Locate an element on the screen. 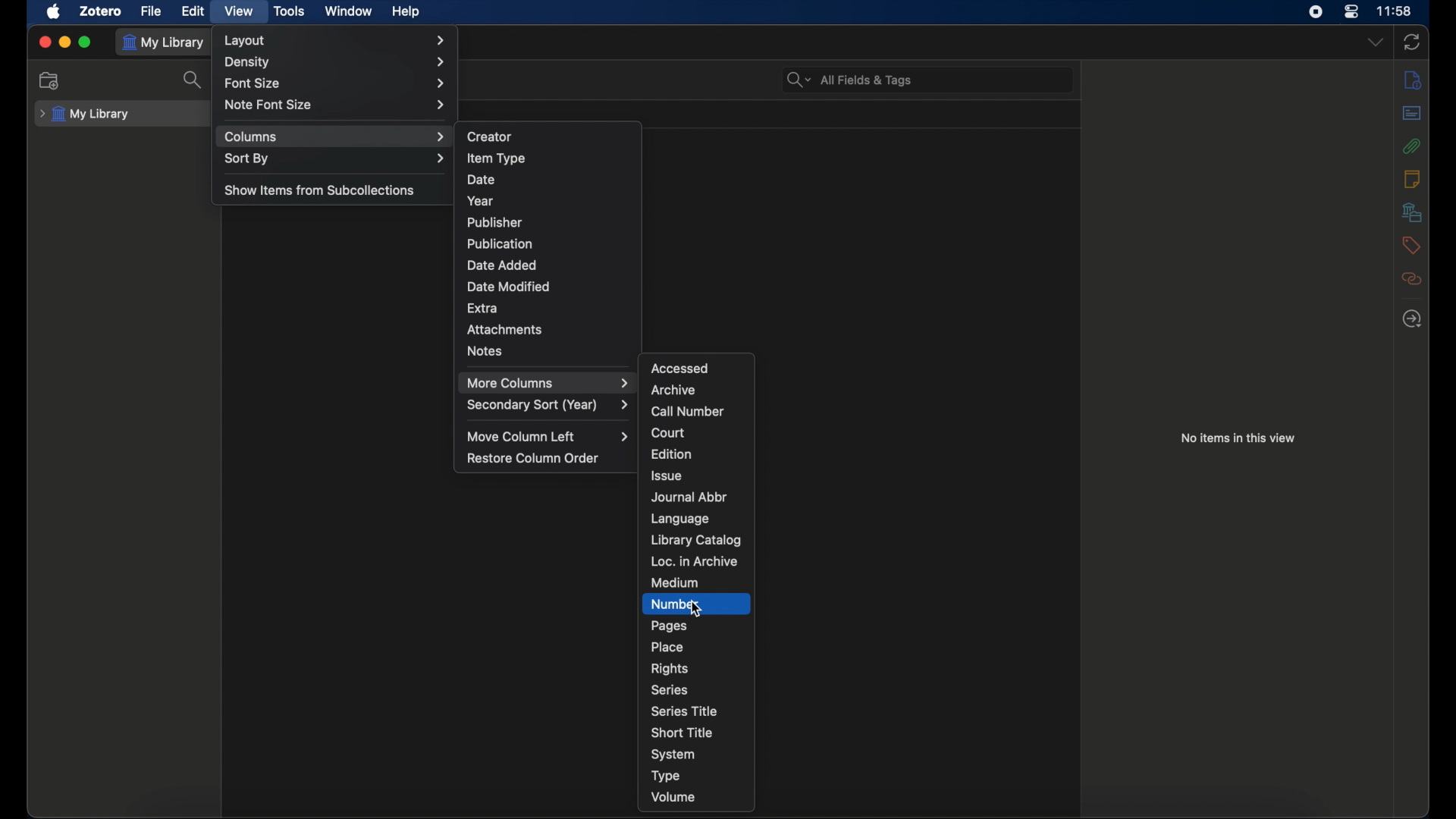 Image resolution: width=1456 pixels, height=819 pixels. extra is located at coordinates (484, 308).